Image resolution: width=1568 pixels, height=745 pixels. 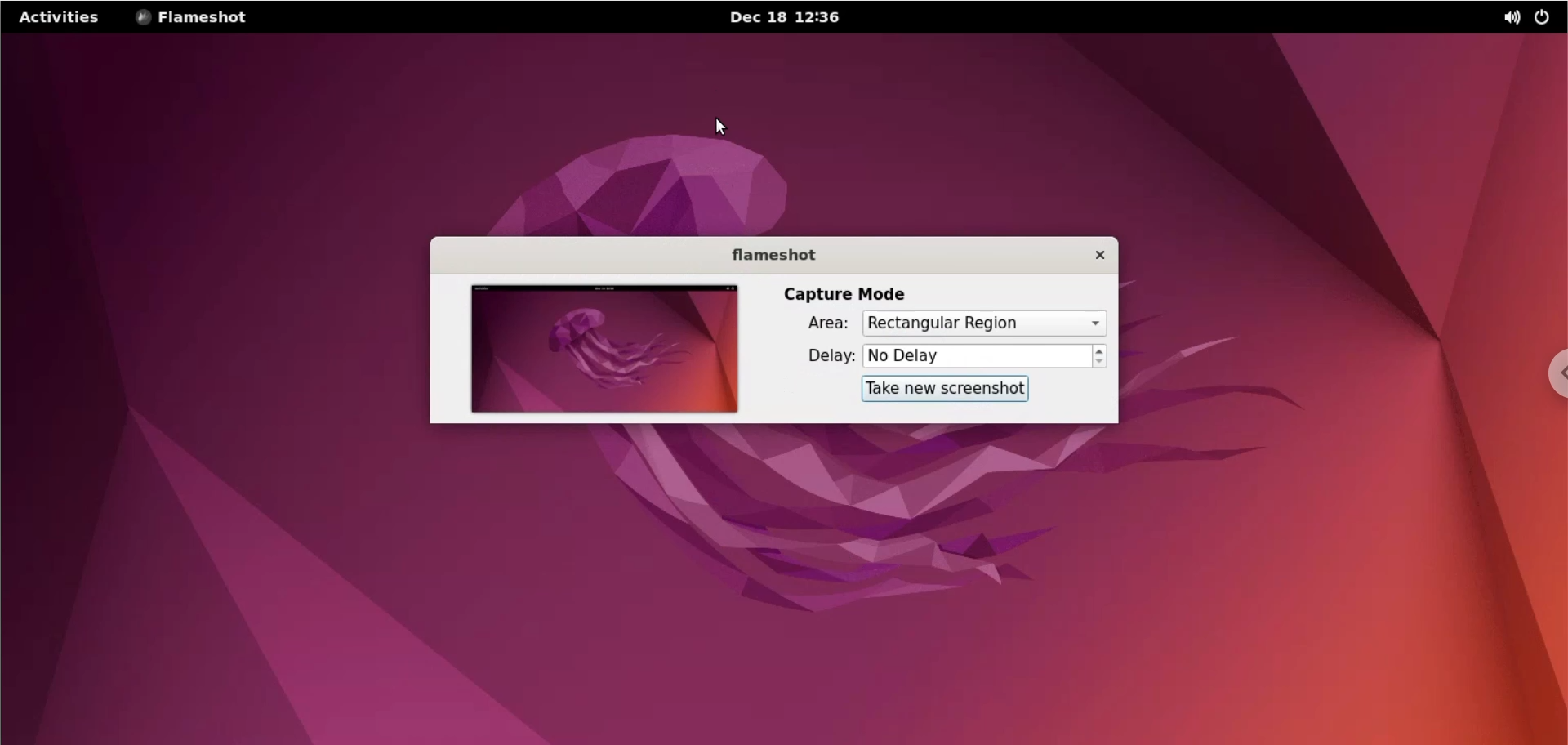 What do you see at coordinates (852, 292) in the screenshot?
I see `capture model label` at bounding box center [852, 292].